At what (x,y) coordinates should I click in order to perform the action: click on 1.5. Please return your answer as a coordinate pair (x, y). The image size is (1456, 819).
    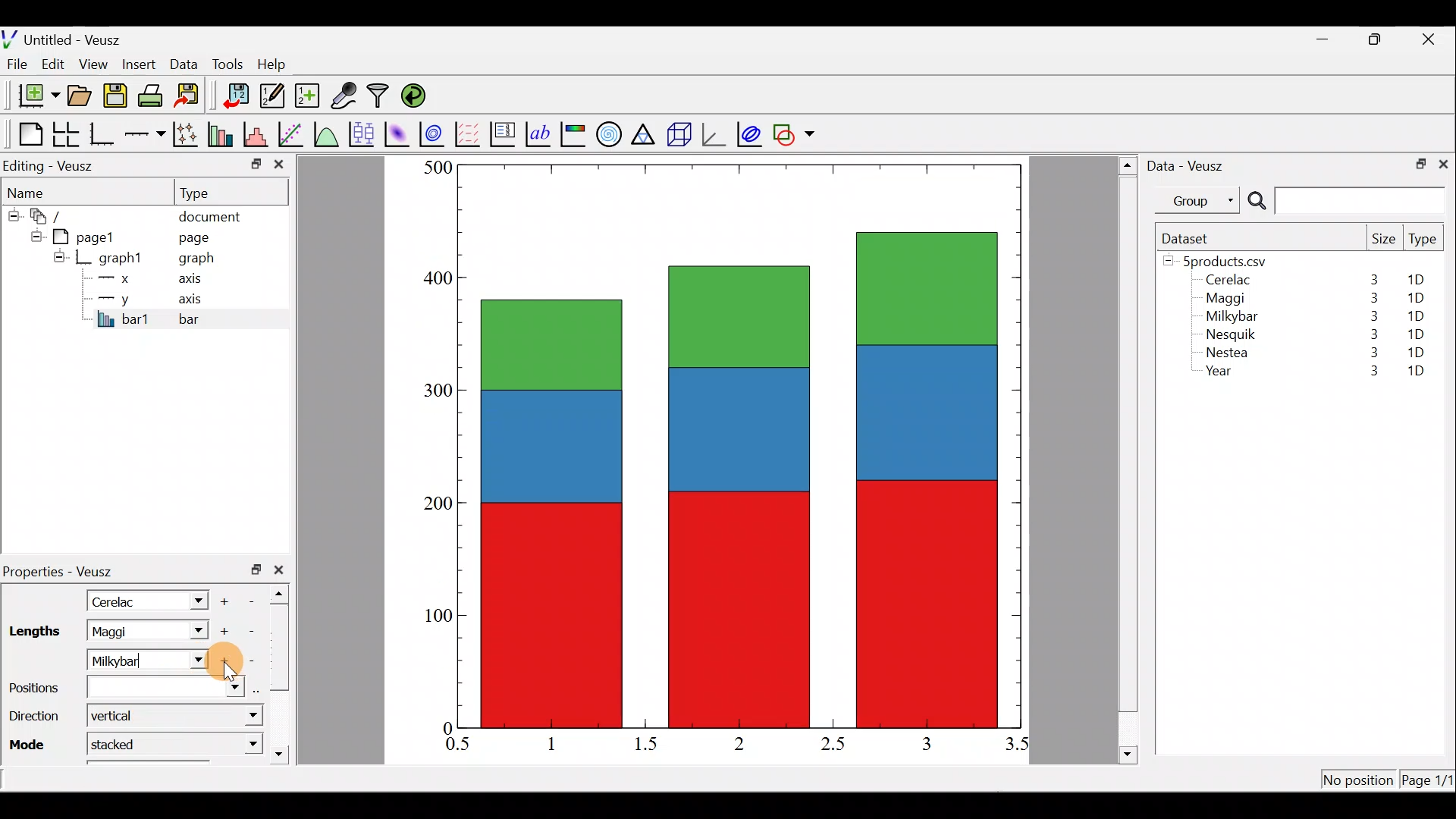
    Looking at the image, I should click on (649, 745).